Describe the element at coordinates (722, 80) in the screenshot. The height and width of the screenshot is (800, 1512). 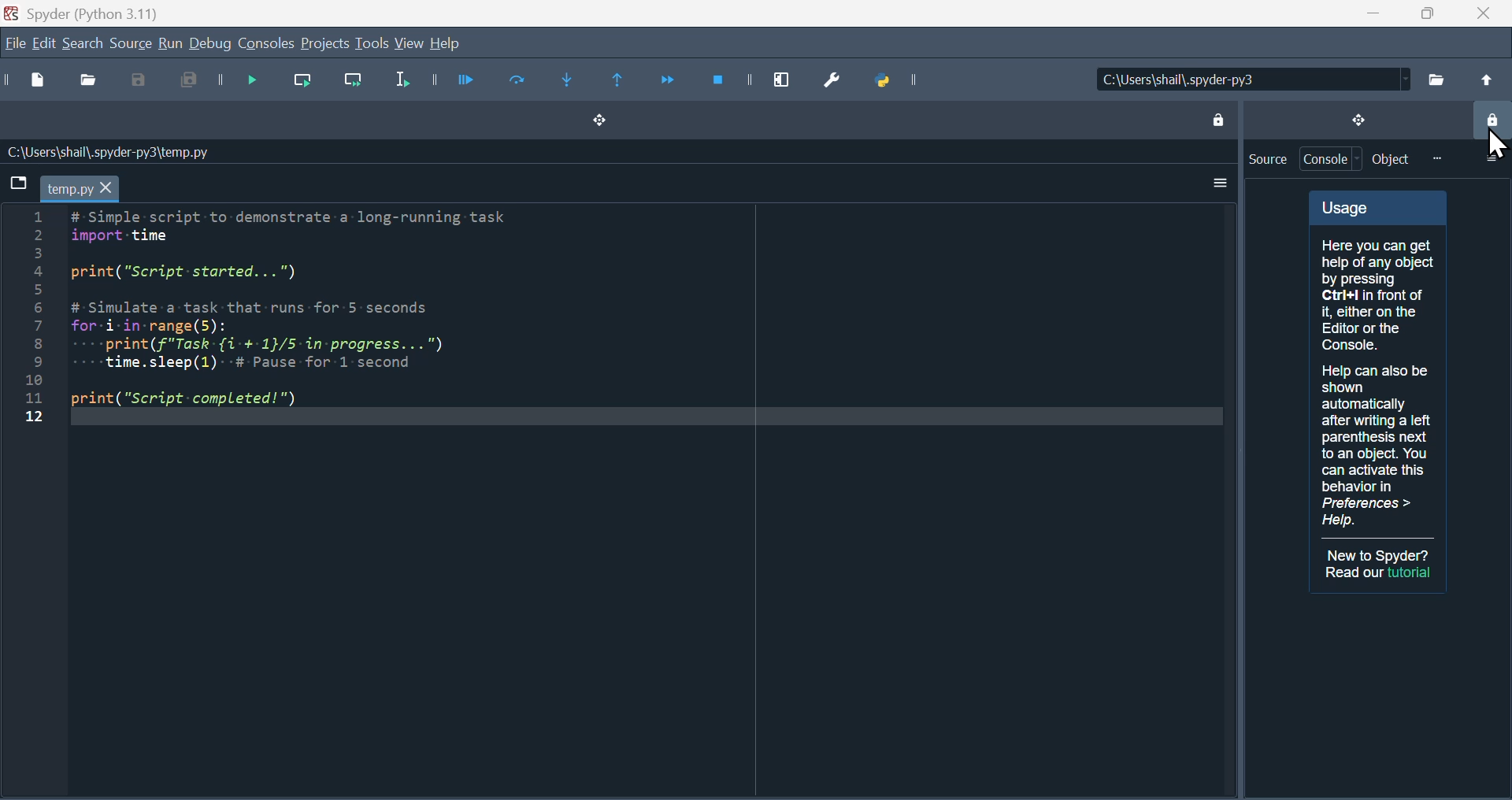
I see `Stop debugging` at that location.